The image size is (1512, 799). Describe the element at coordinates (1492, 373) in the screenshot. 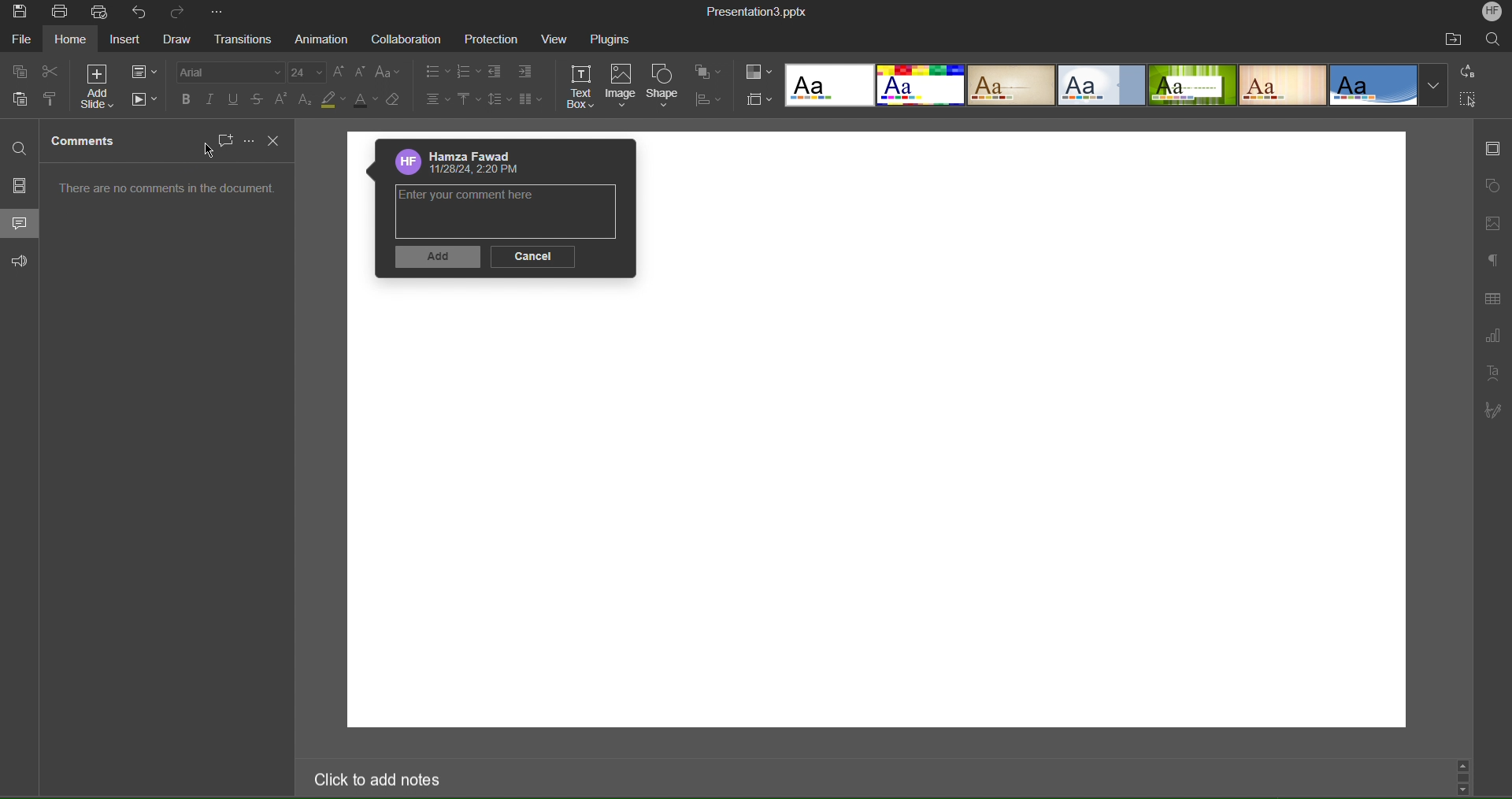

I see `Text Art` at that location.